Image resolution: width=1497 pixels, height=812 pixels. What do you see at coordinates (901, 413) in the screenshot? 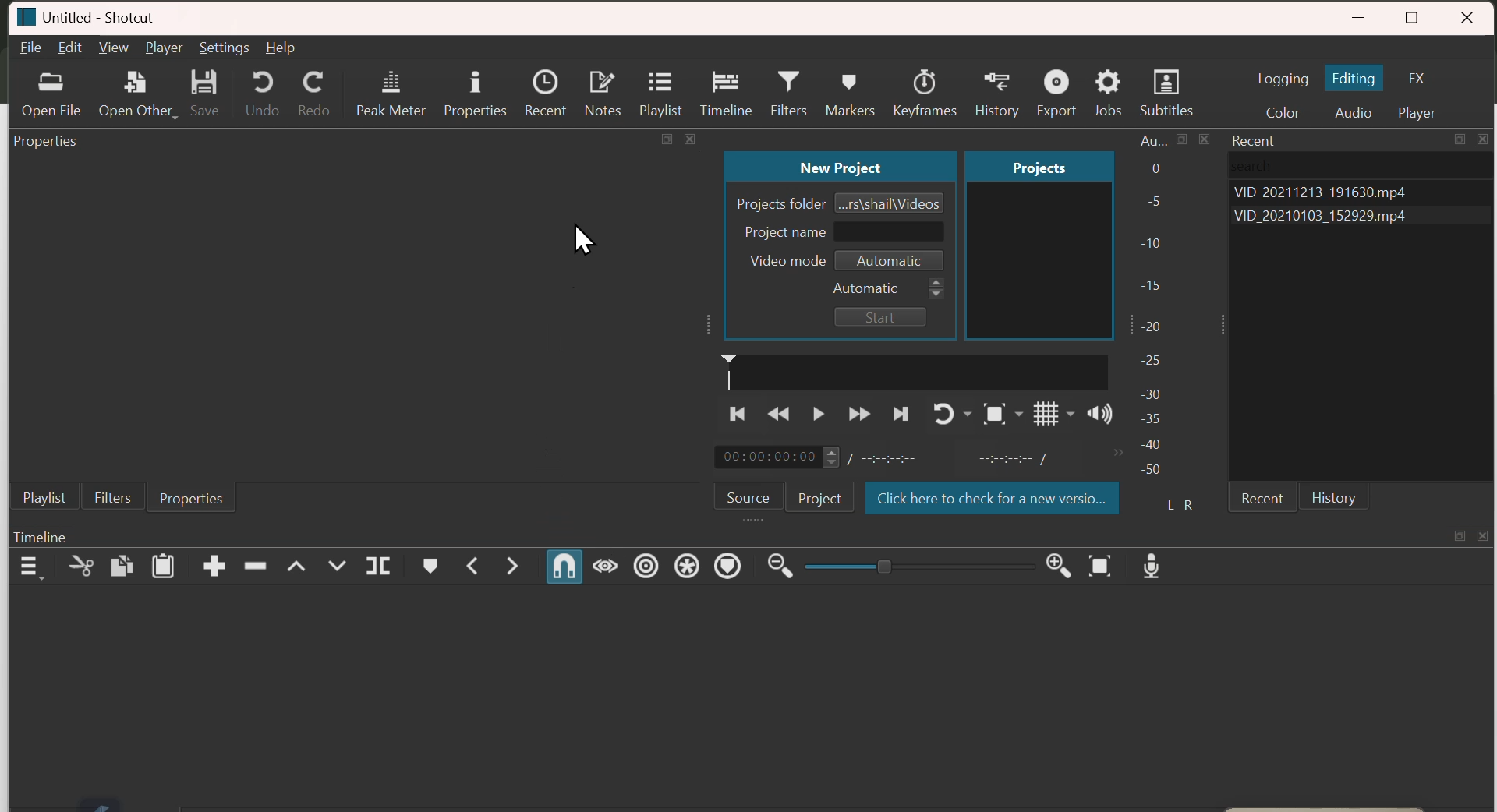
I see `next` at bounding box center [901, 413].